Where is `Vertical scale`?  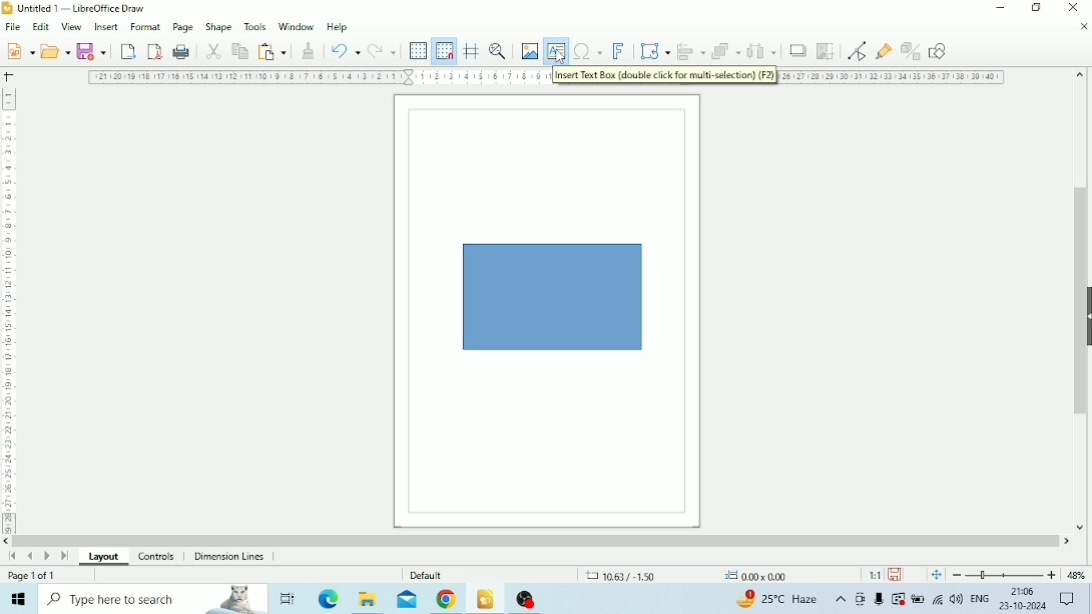
Vertical scale is located at coordinates (8, 307).